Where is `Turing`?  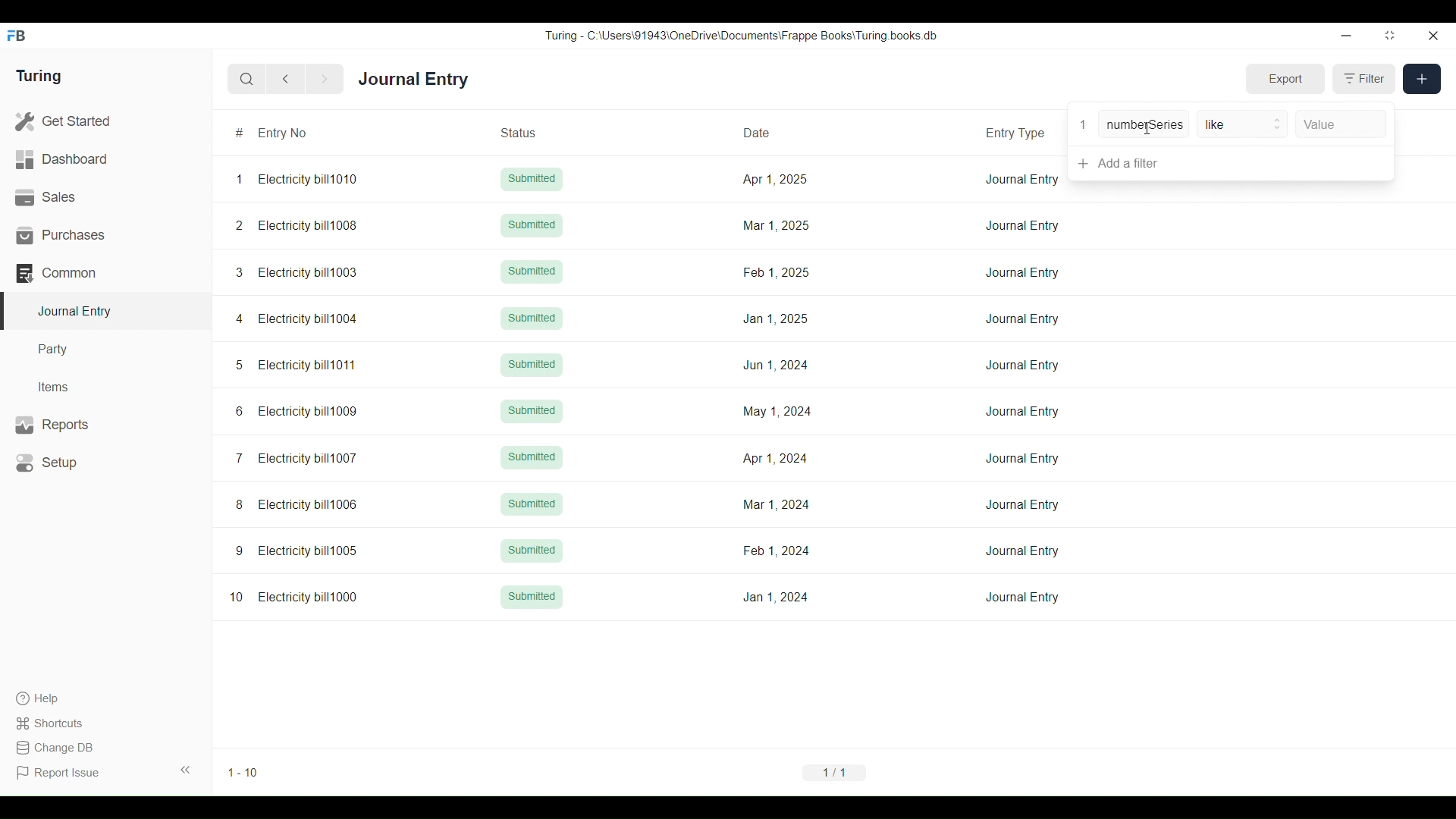
Turing is located at coordinates (39, 76).